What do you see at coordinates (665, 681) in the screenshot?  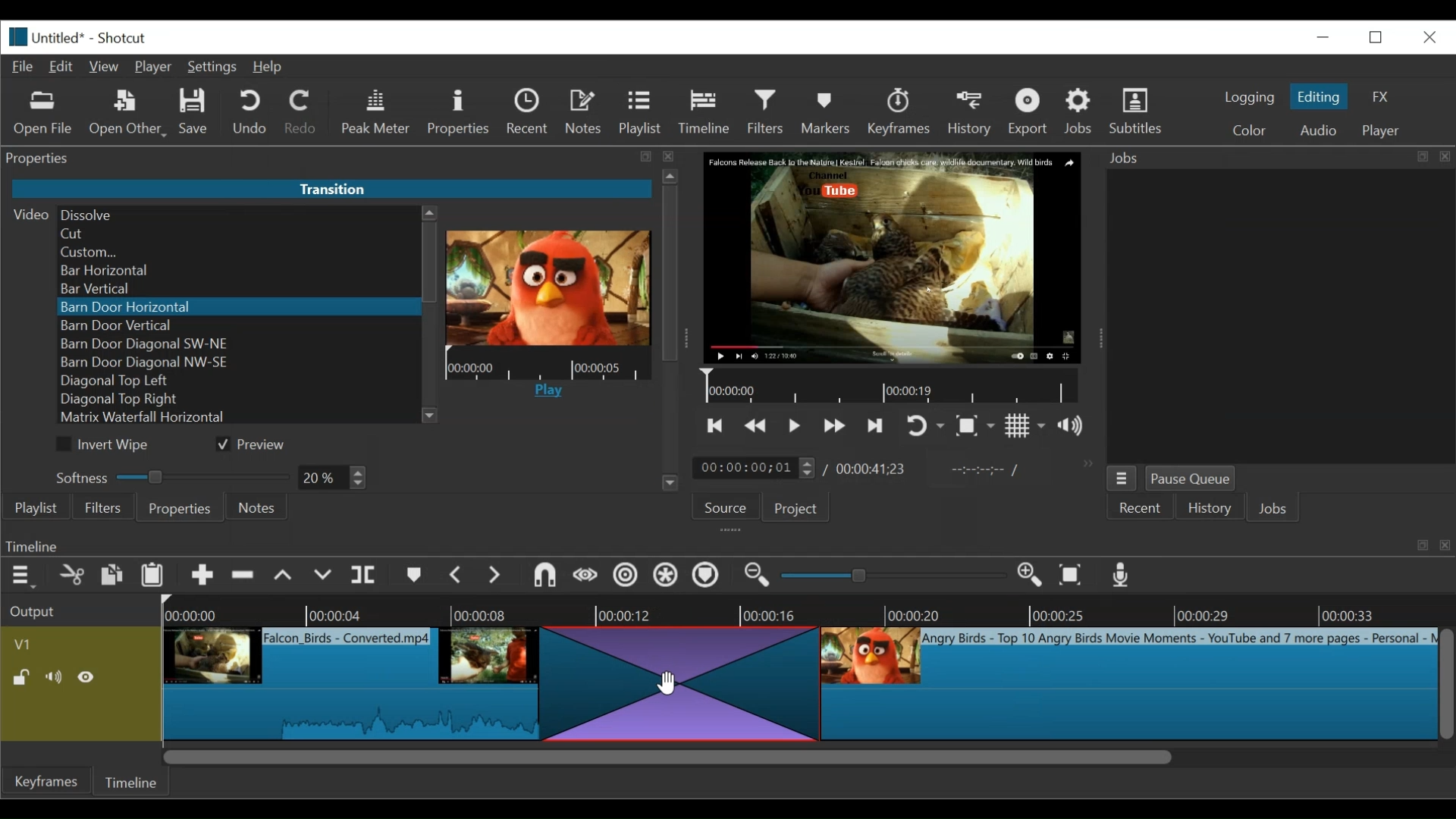 I see `Cursor` at bounding box center [665, 681].